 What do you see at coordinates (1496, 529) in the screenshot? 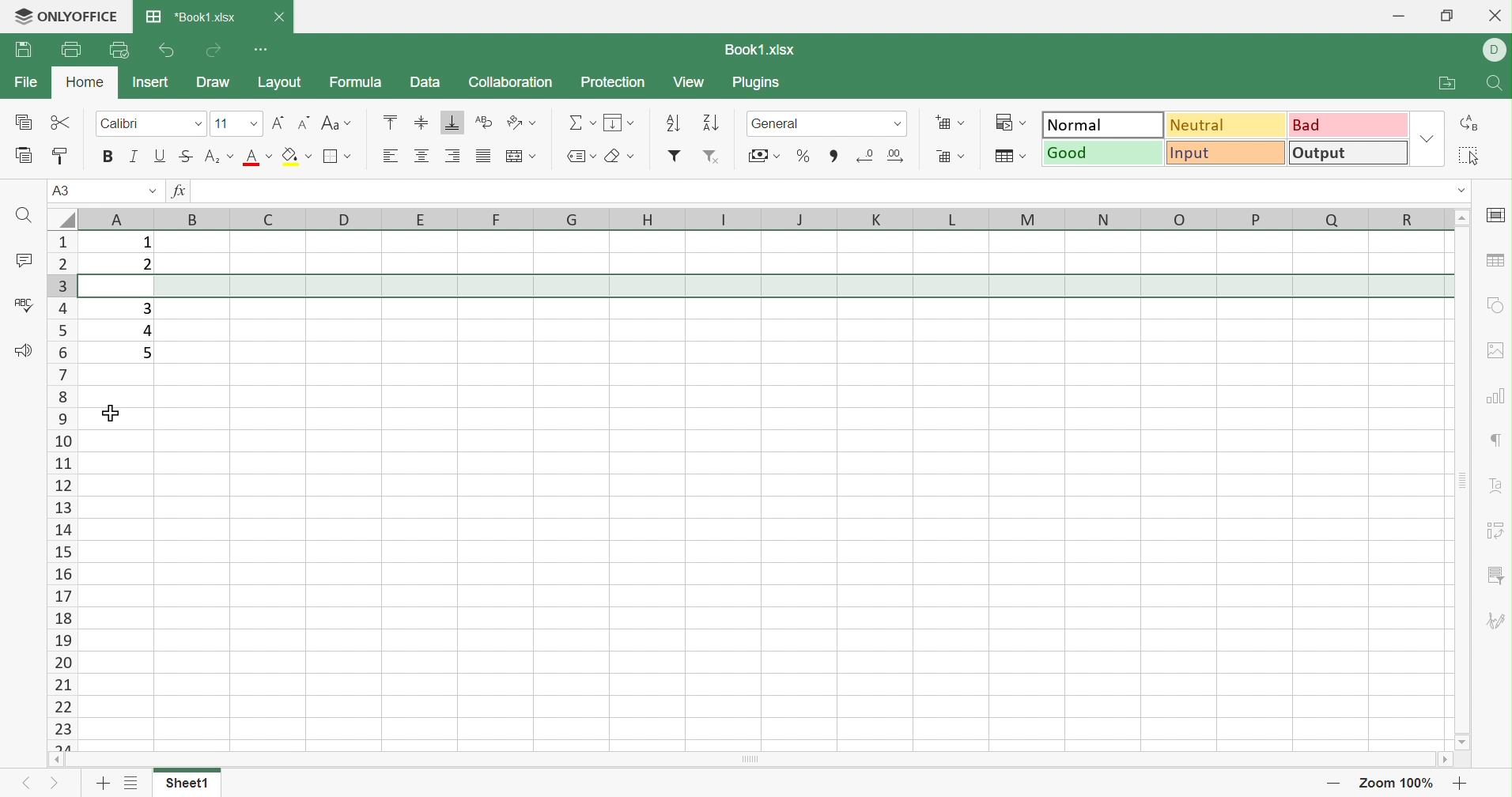
I see `Pivot Table settings` at bounding box center [1496, 529].